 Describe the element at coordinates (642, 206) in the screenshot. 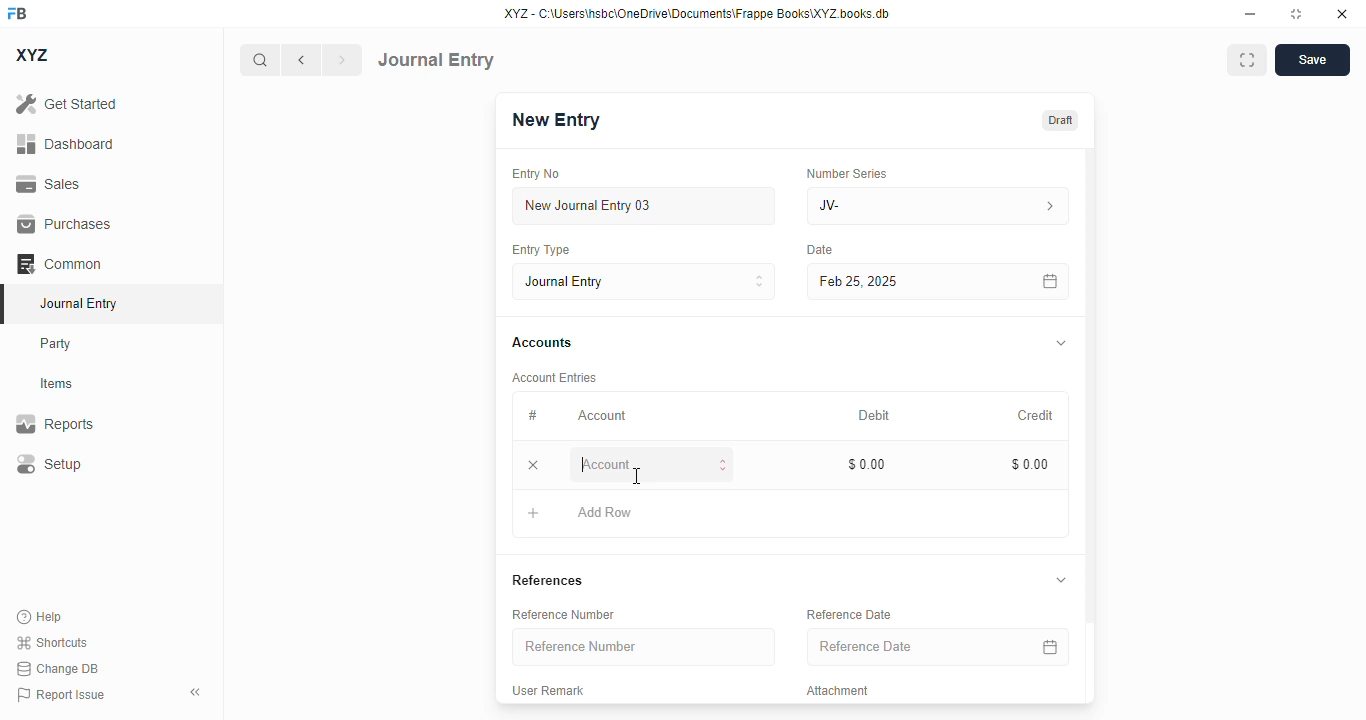

I see `new journal entry 03` at that location.